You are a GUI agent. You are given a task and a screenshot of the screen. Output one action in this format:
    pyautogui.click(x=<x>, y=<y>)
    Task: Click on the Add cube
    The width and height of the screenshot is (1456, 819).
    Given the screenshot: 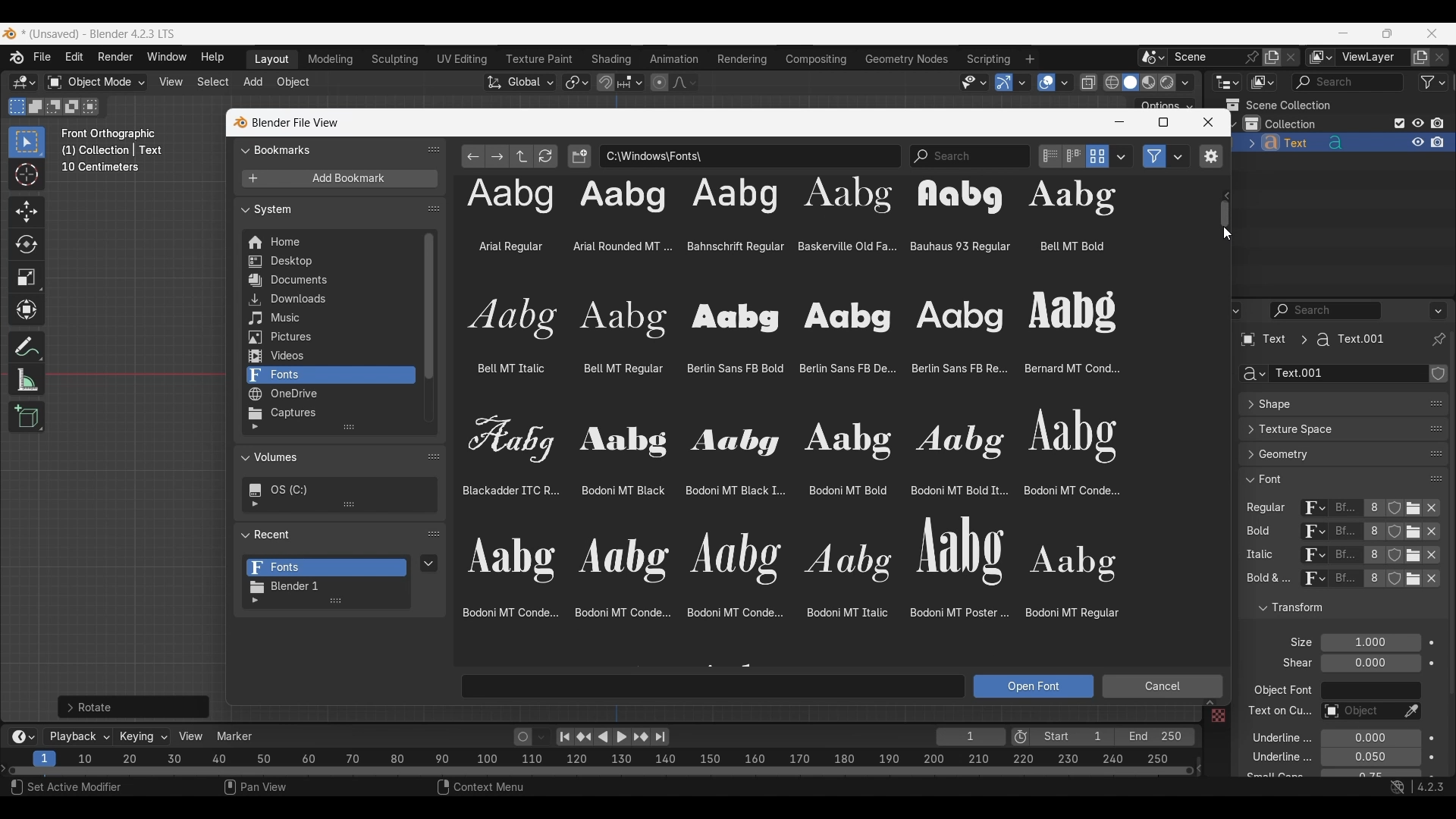 What is the action you would take?
    pyautogui.click(x=27, y=417)
    